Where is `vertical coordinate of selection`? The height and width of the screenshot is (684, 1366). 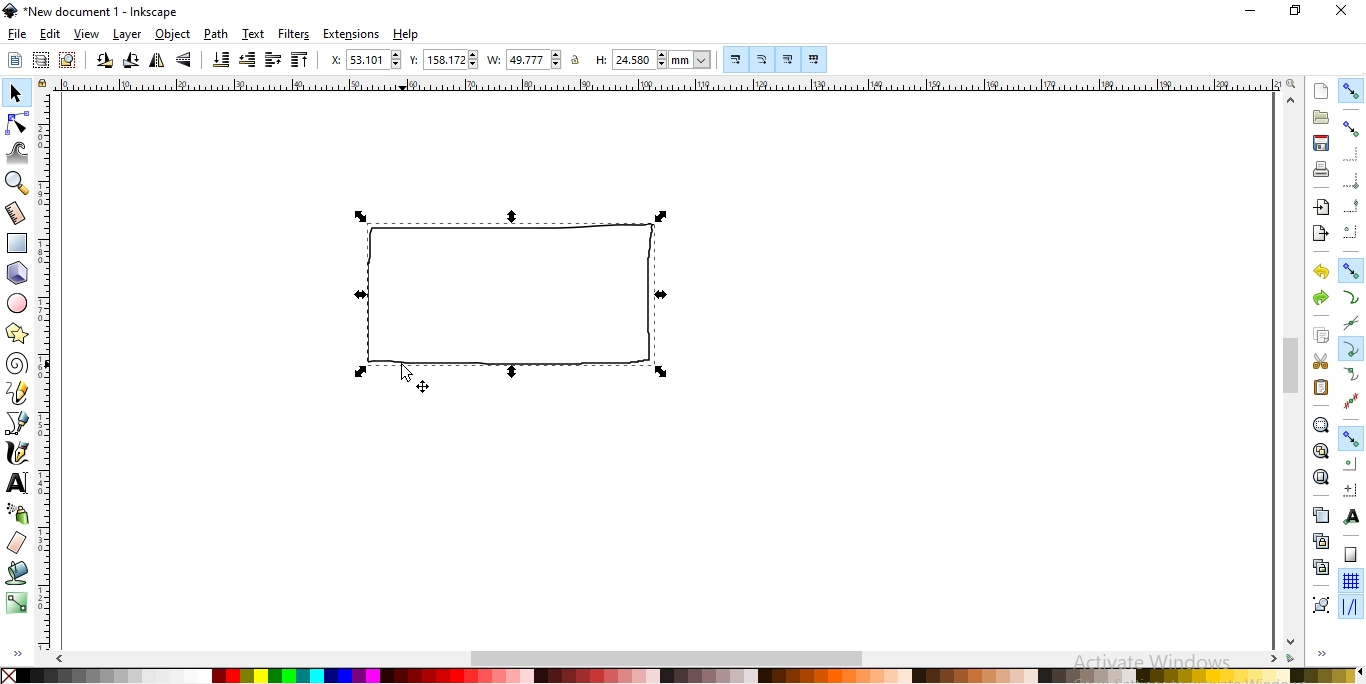 vertical coordinate of selection is located at coordinates (443, 58).